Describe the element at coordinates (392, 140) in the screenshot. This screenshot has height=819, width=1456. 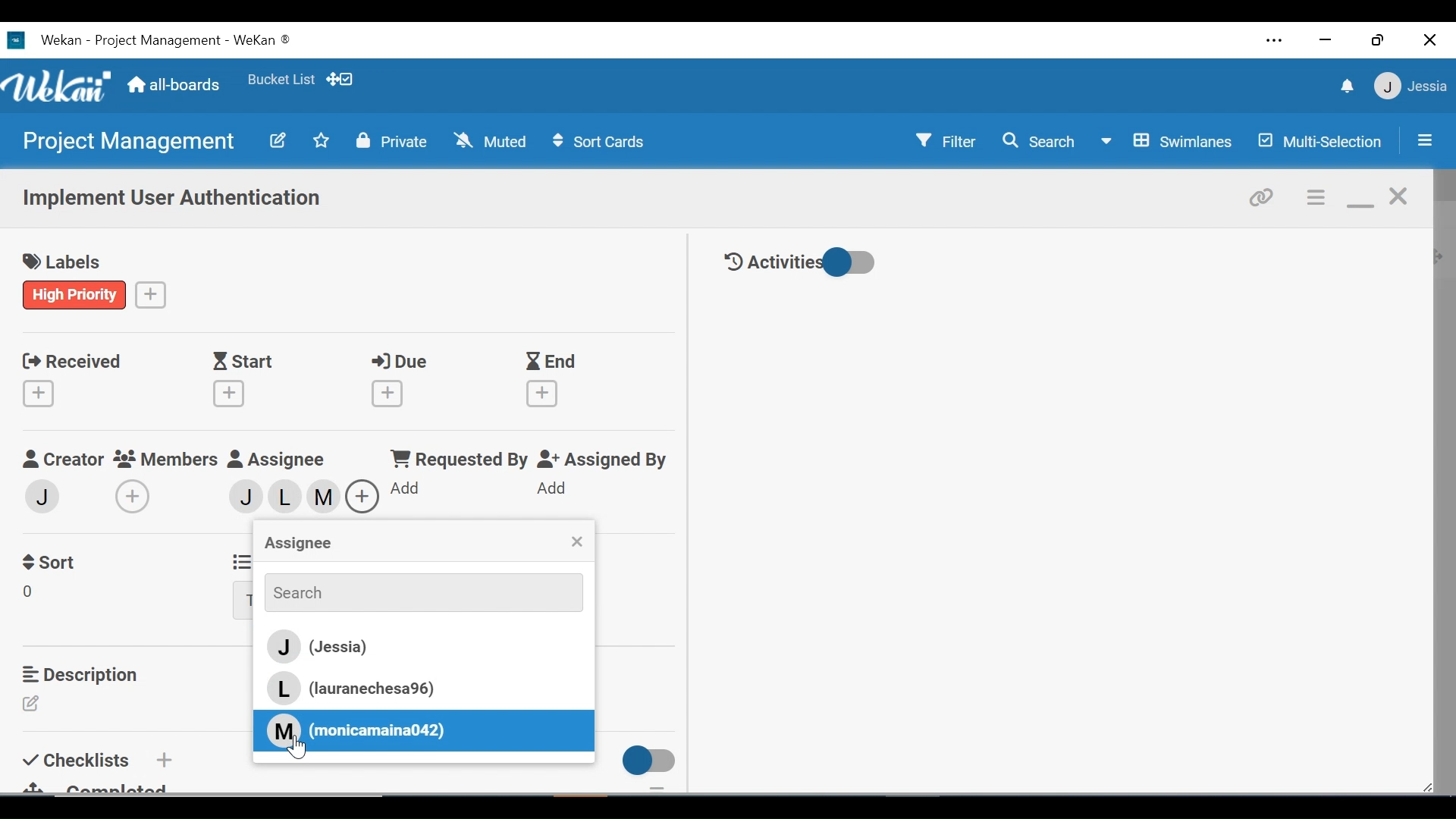
I see `Private` at that location.